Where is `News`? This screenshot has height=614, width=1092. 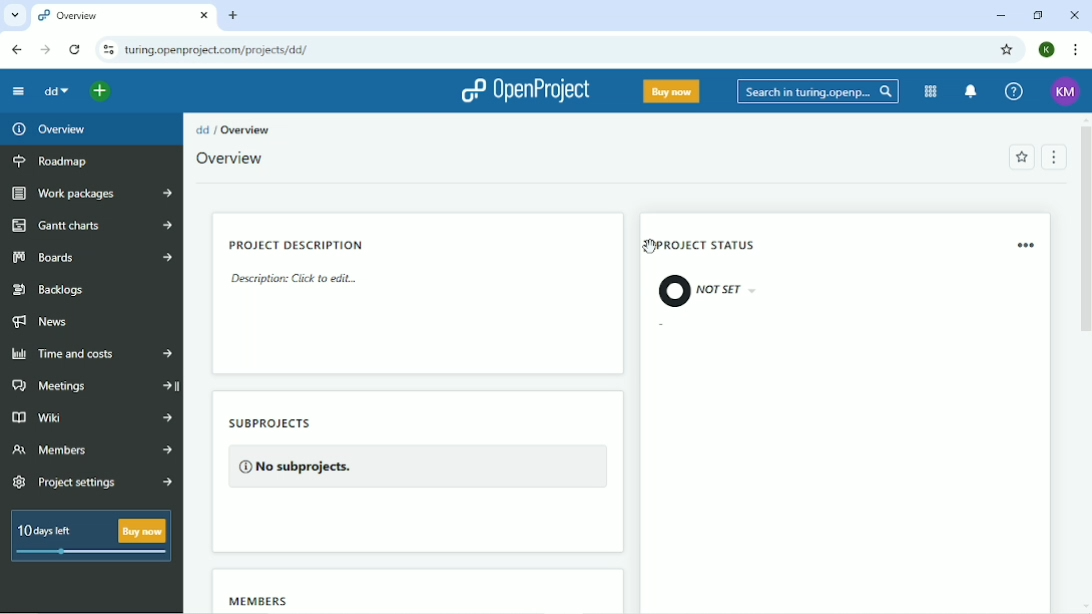
News is located at coordinates (44, 322).